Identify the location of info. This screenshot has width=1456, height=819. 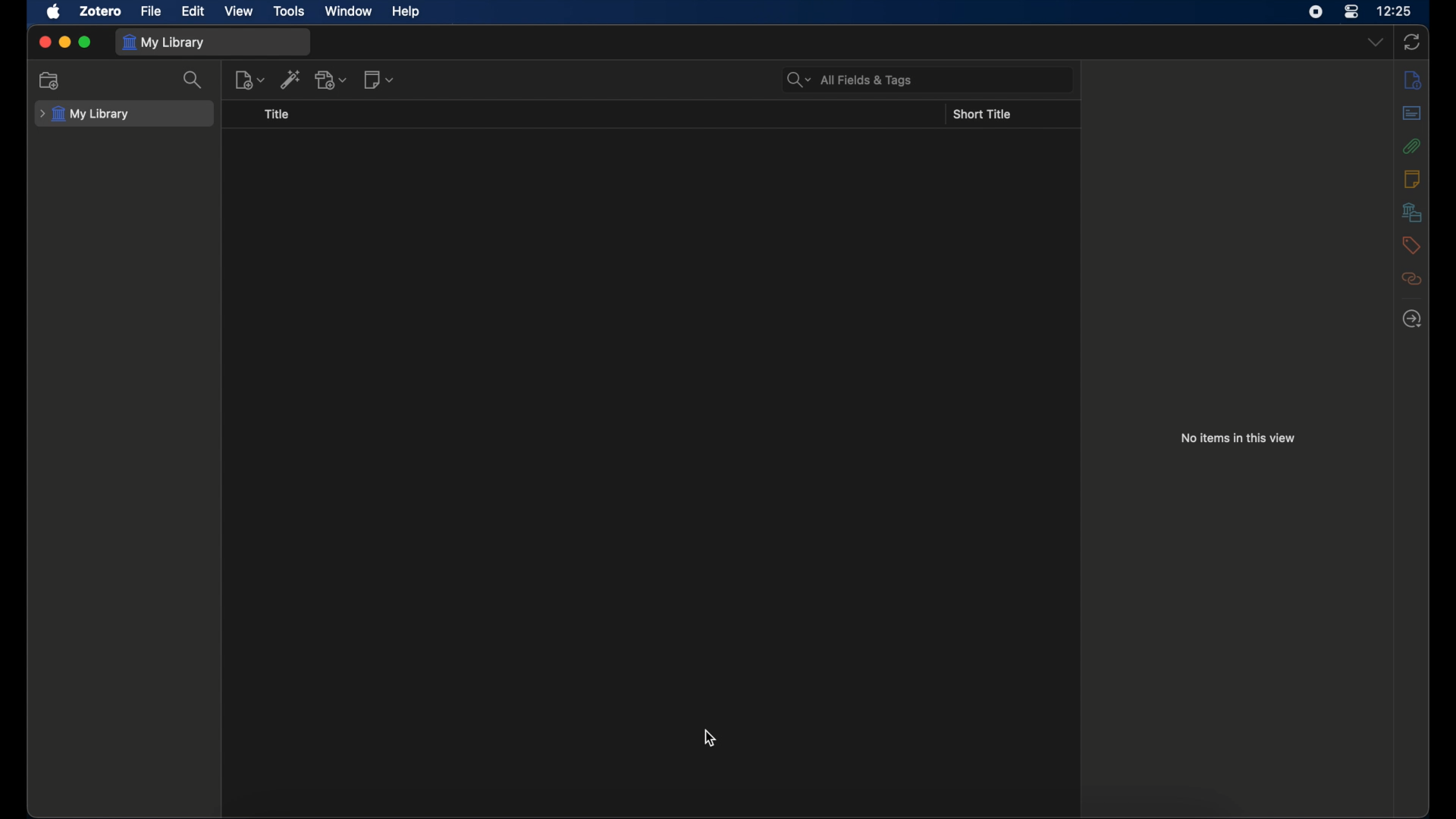
(1412, 80).